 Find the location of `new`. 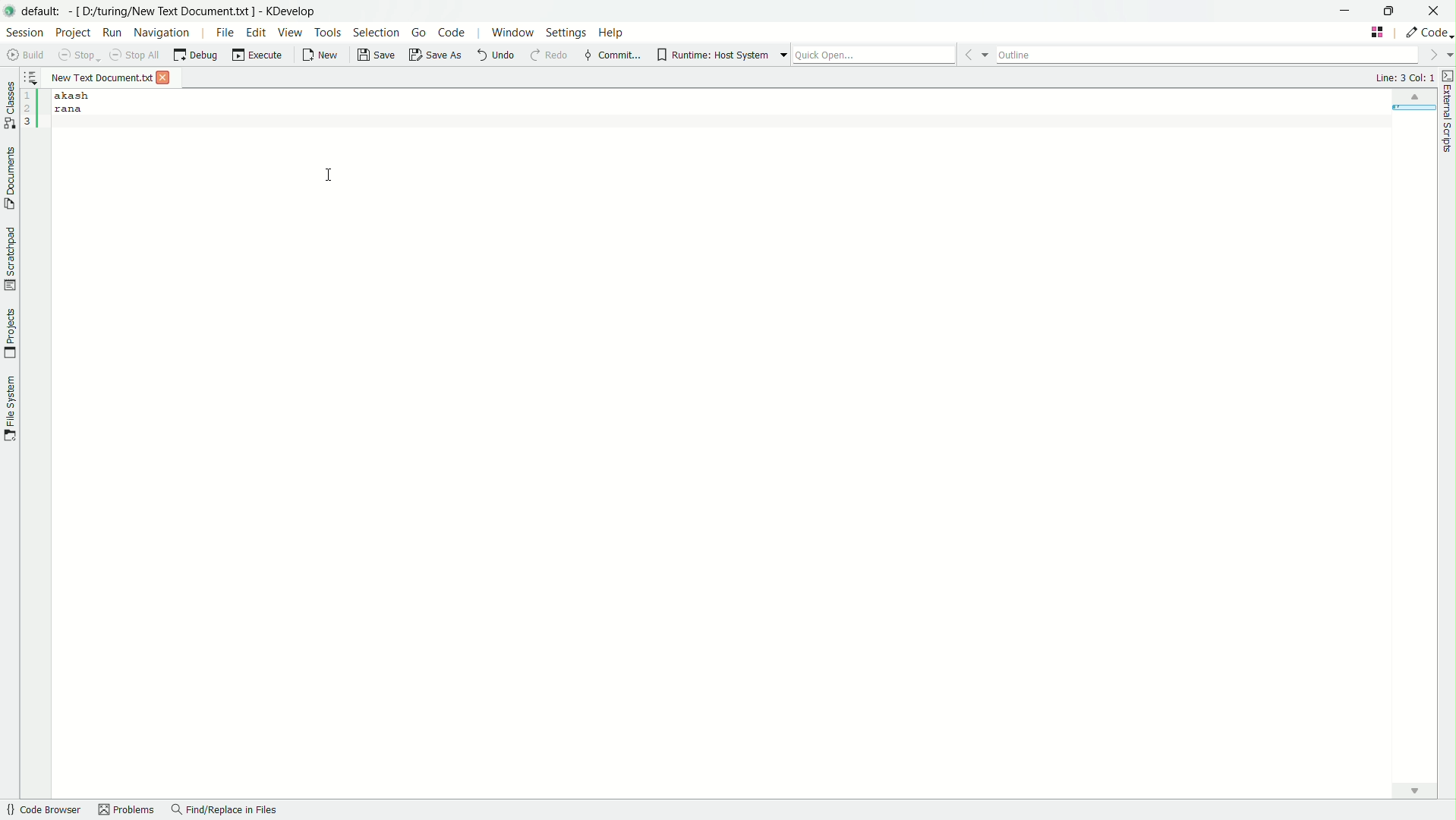

new is located at coordinates (323, 56).